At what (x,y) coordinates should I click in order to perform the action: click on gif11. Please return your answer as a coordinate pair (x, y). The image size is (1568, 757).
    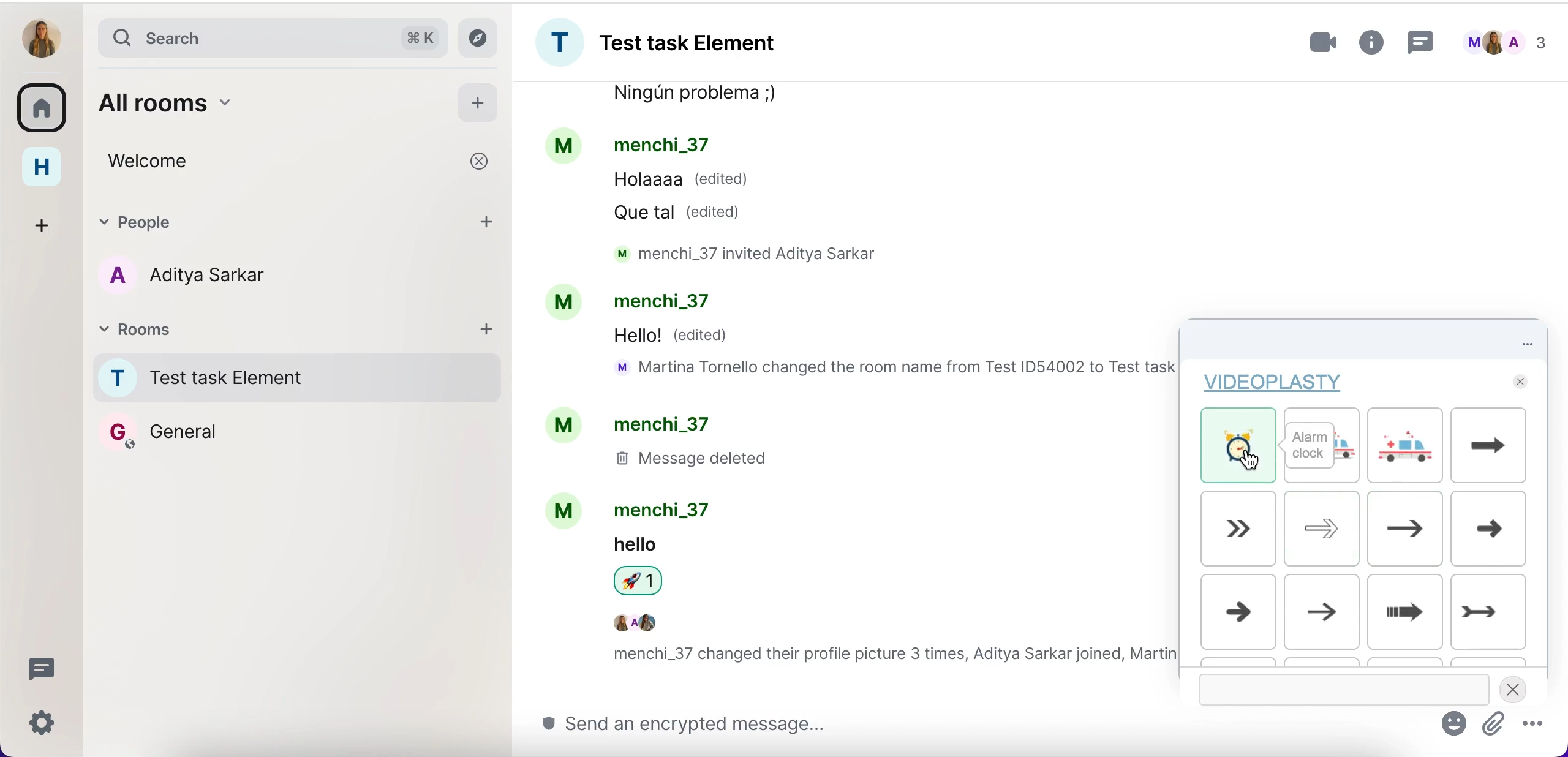
    Looking at the image, I should click on (1406, 612).